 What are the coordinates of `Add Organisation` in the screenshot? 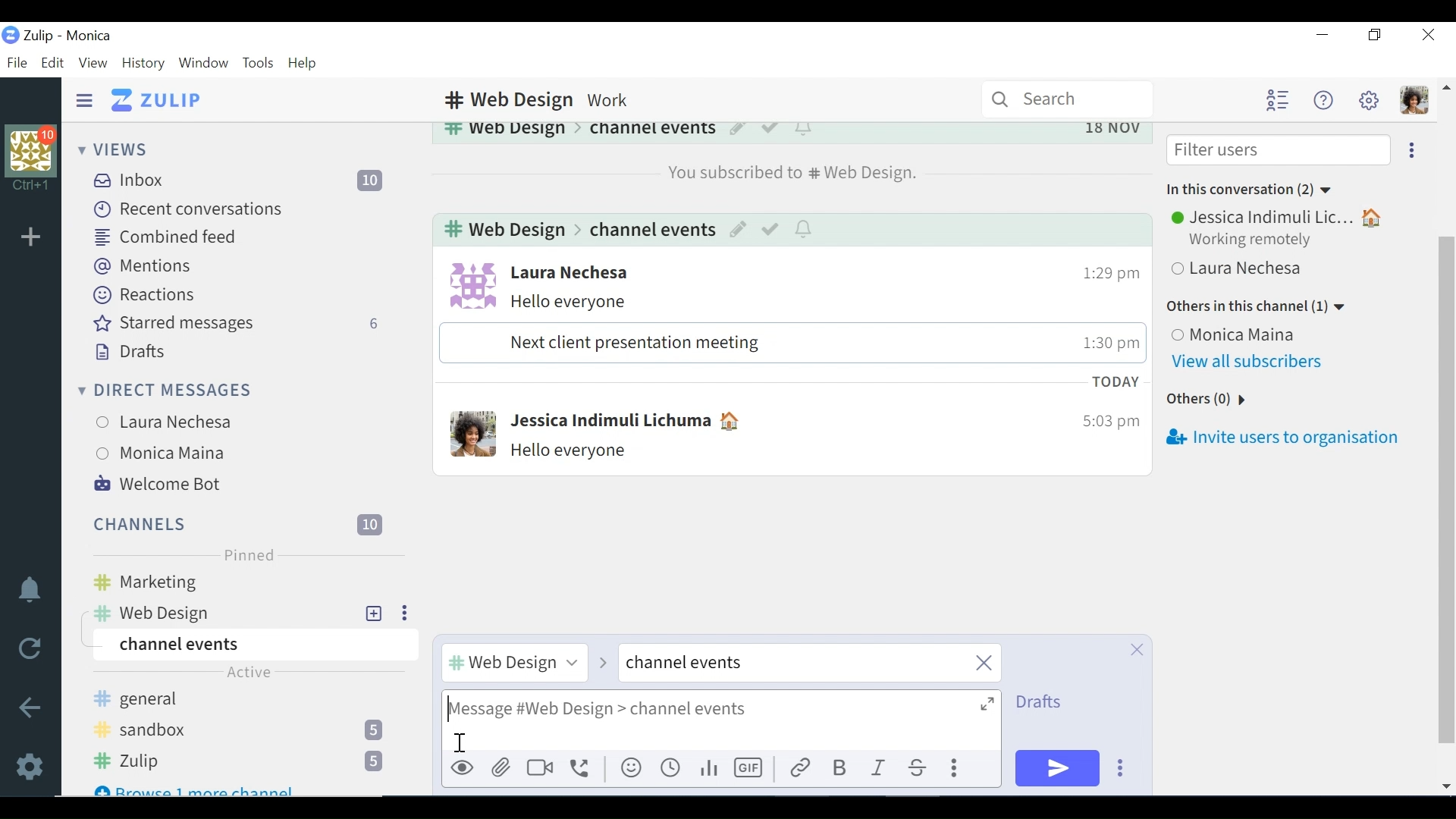 It's located at (31, 236).